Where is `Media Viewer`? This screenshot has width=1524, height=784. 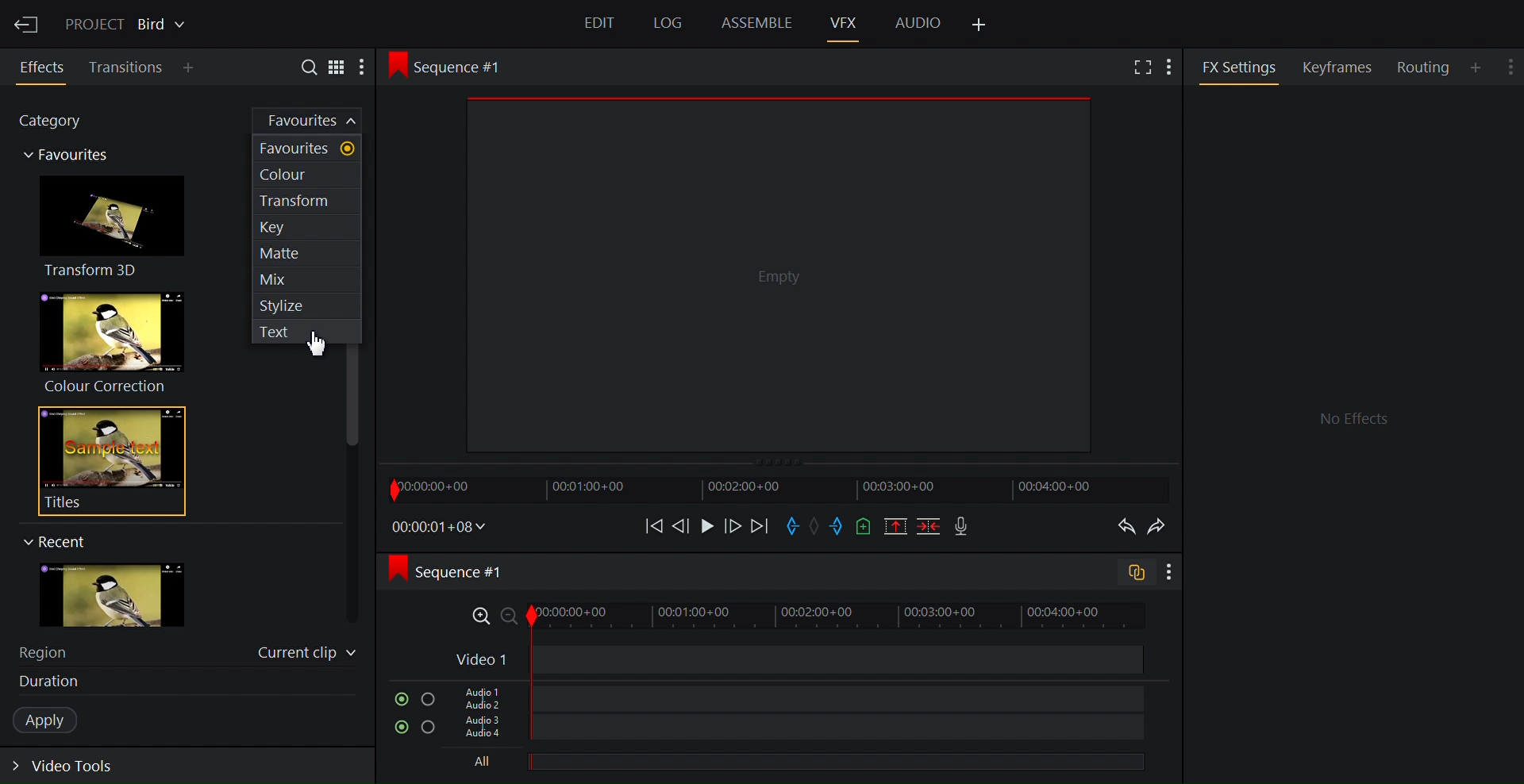
Media Viewer is located at coordinates (779, 271).